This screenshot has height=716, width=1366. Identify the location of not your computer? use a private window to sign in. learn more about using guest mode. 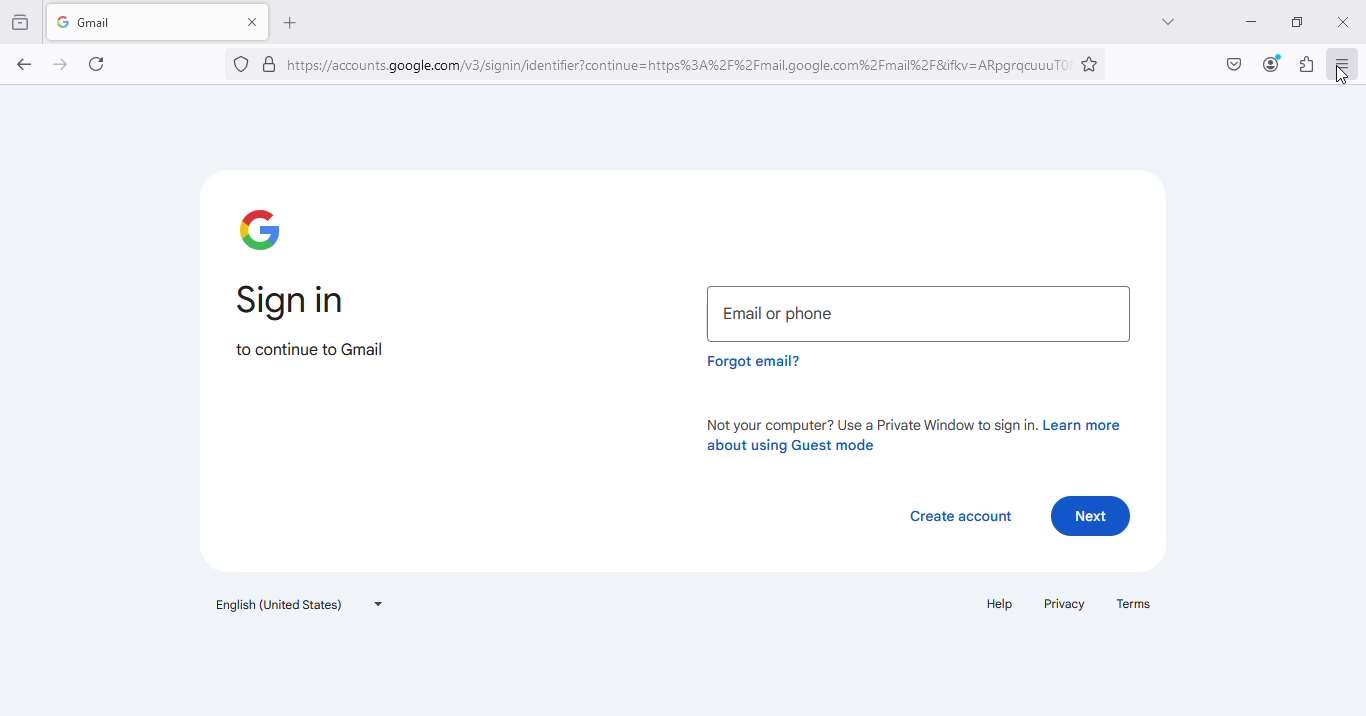
(912, 434).